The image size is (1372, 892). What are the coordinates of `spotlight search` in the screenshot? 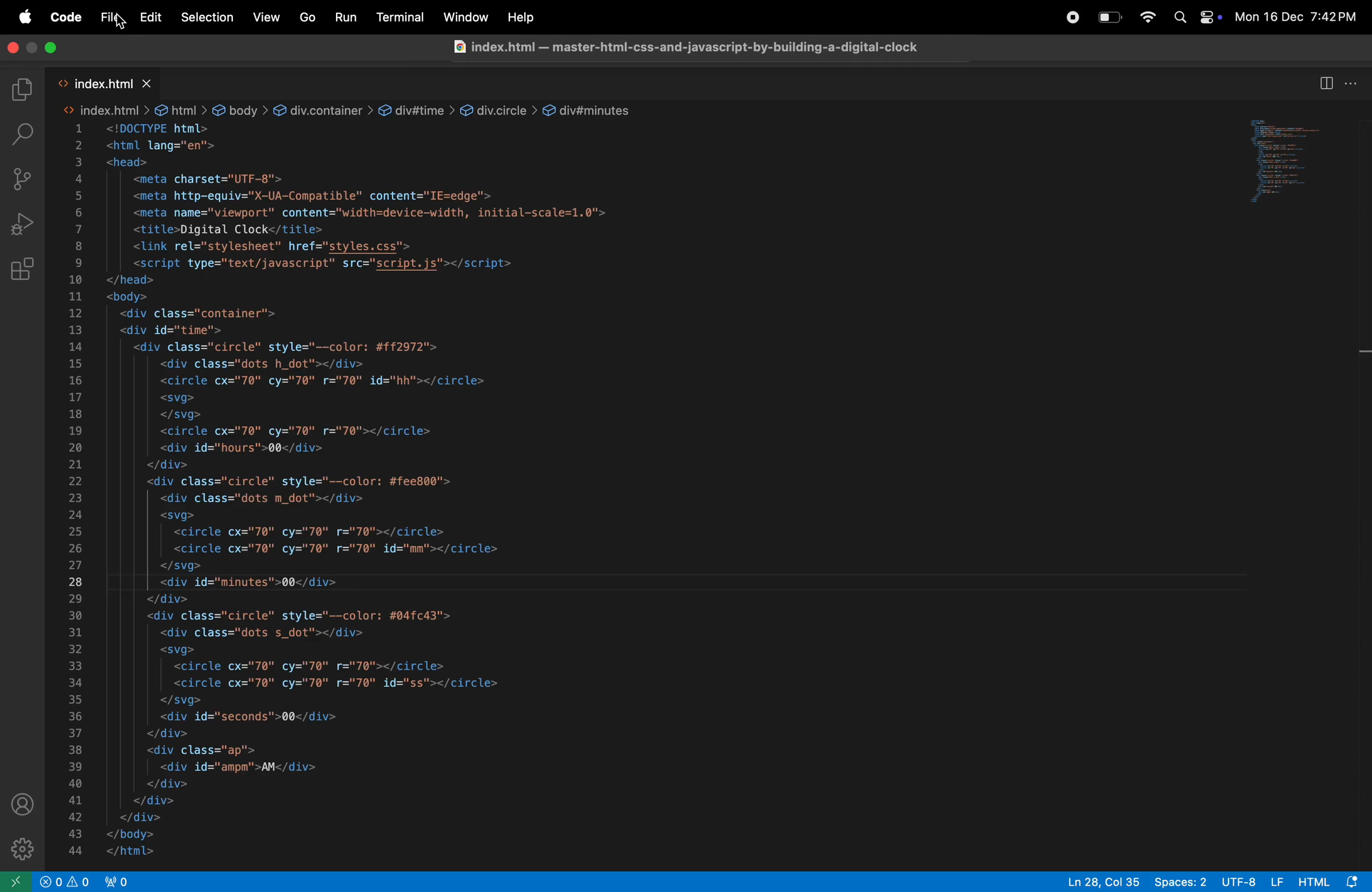 It's located at (1179, 18).